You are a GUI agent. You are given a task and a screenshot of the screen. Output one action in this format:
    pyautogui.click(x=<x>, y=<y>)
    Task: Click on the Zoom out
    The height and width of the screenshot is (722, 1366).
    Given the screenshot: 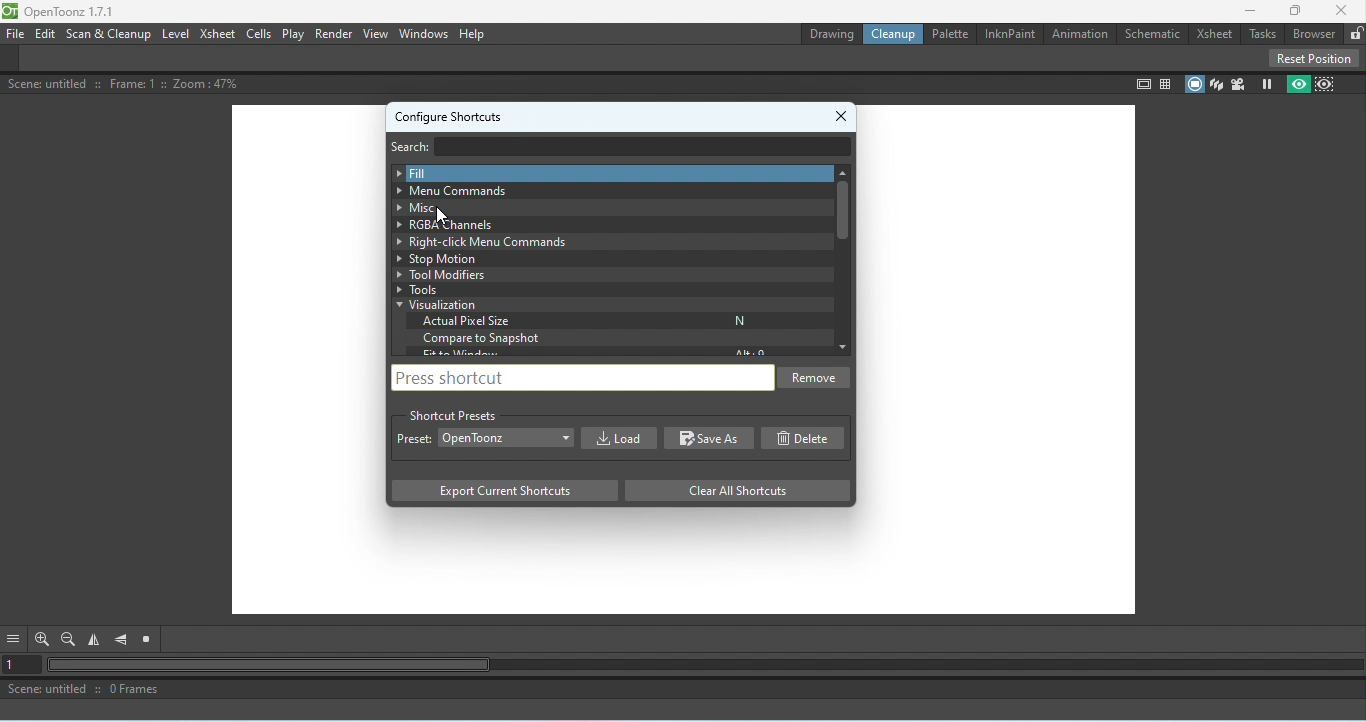 What is the action you would take?
    pyautogui.click(x=68, y=639)
    